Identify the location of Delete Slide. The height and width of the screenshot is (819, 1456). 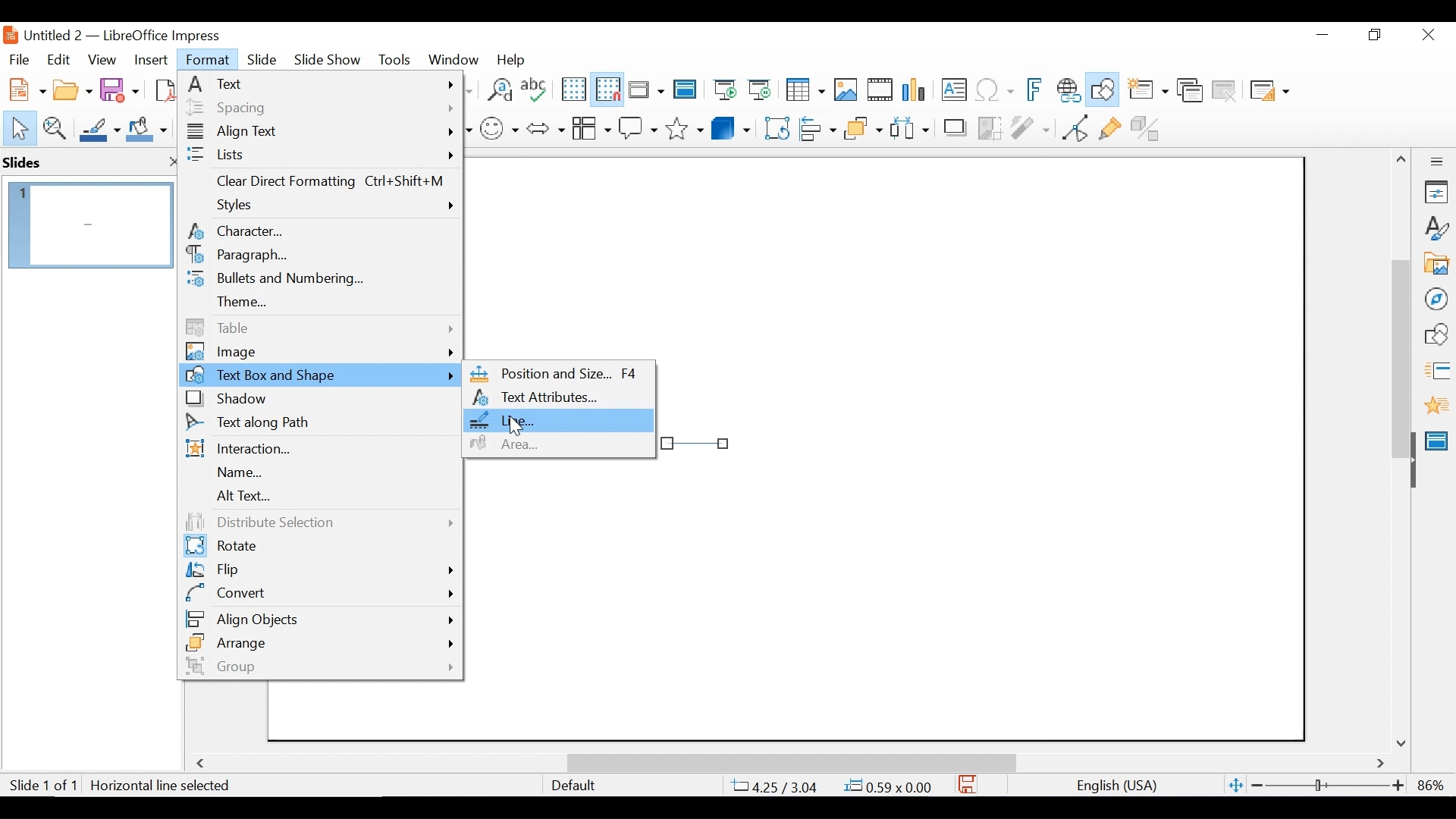
(1223, 91).